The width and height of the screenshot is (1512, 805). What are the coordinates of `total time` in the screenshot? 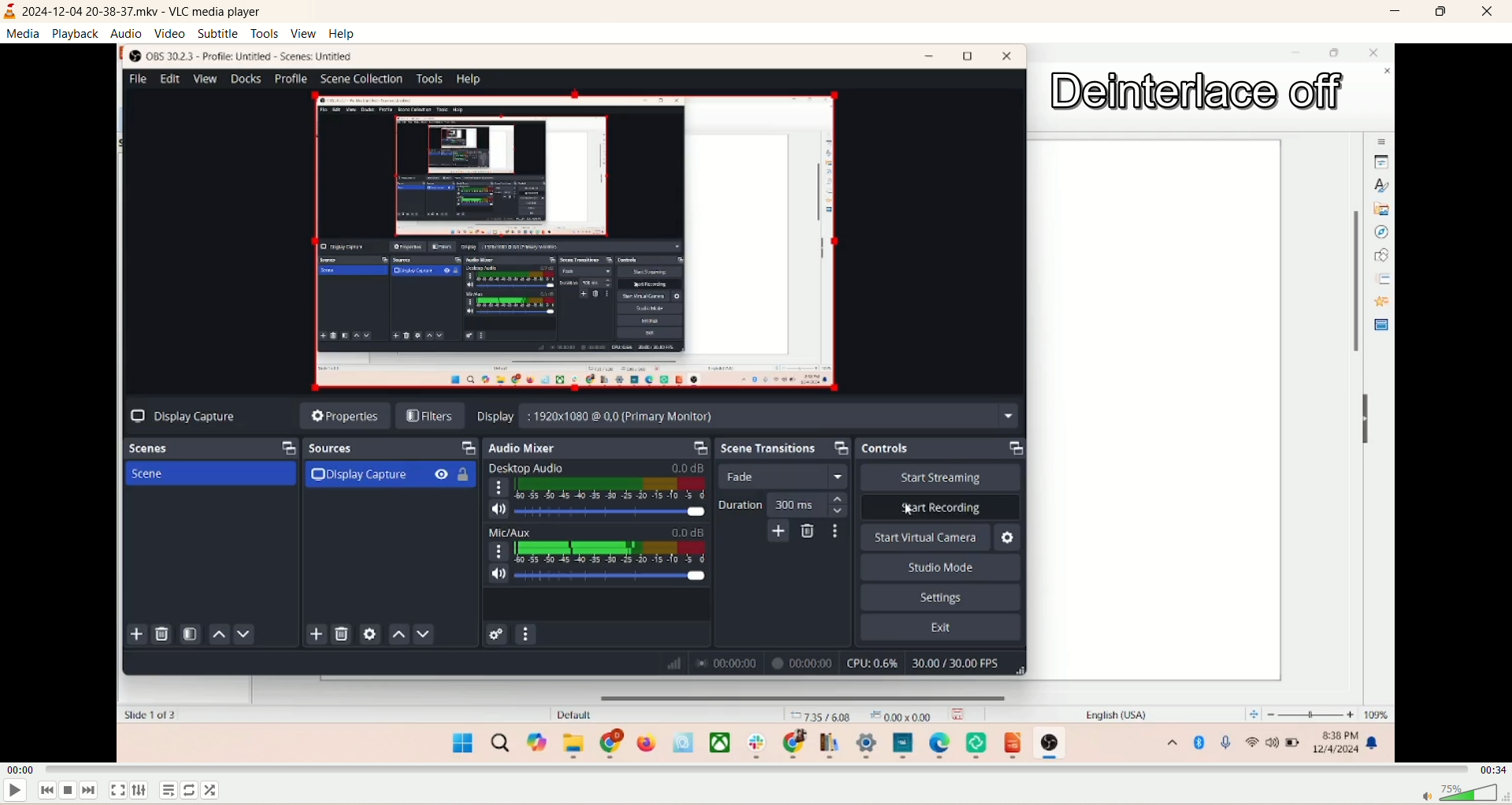 It's located at (1489, 768).